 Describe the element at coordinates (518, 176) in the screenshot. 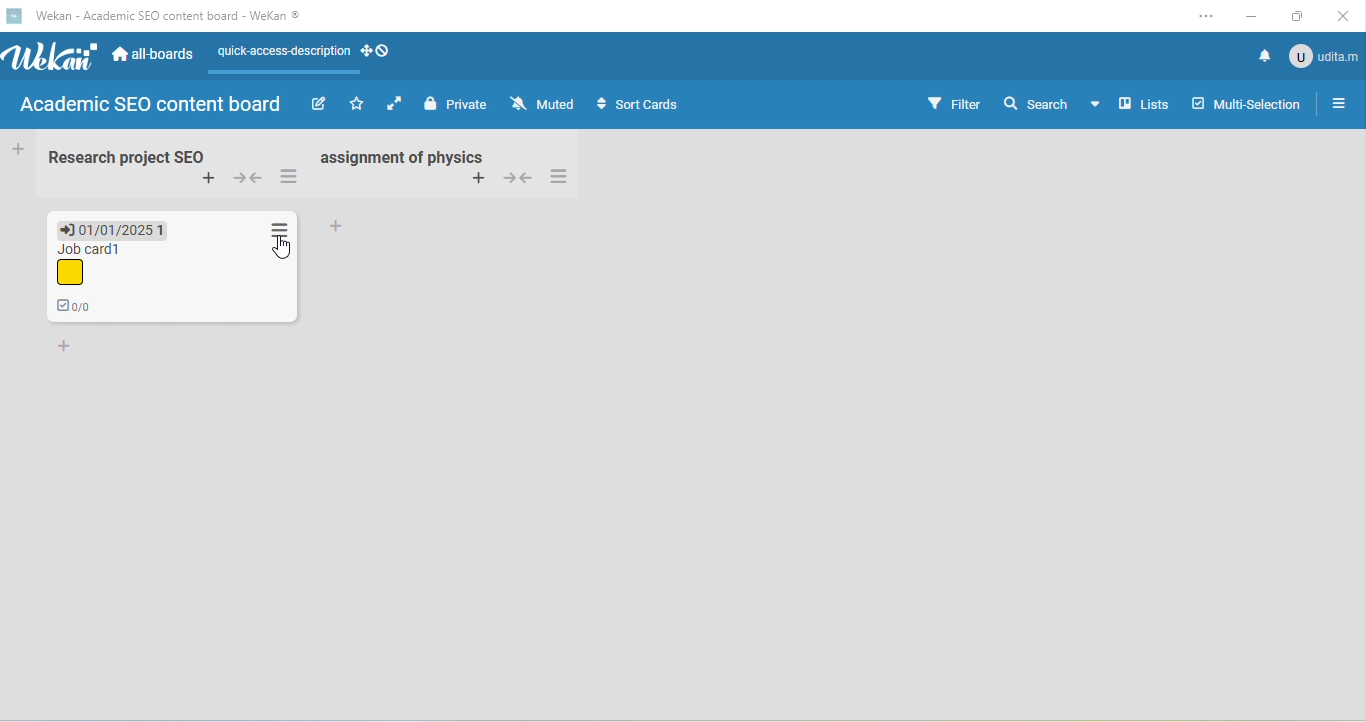

I see `collapse` at that location.